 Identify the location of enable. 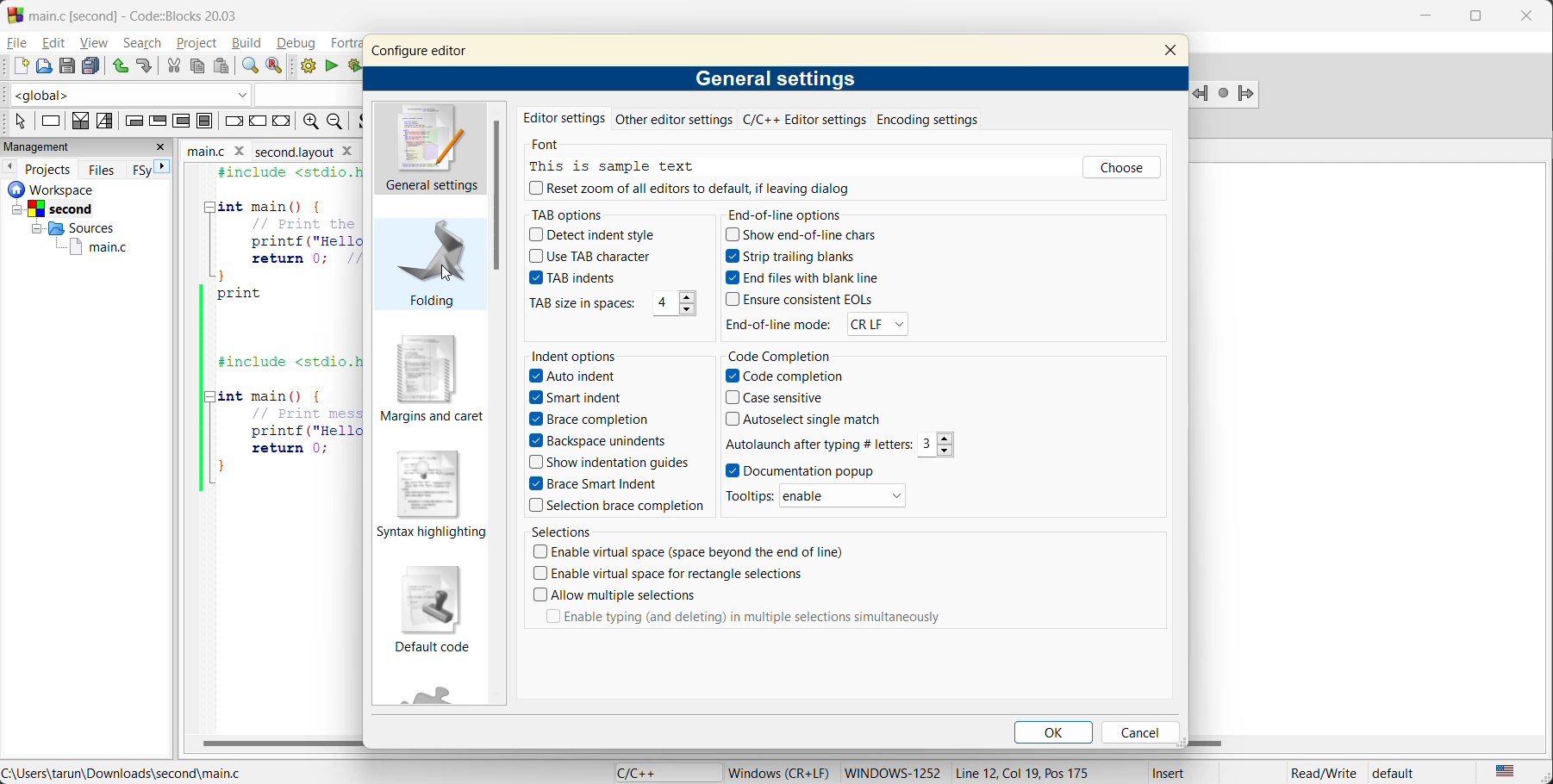
(844, 495).